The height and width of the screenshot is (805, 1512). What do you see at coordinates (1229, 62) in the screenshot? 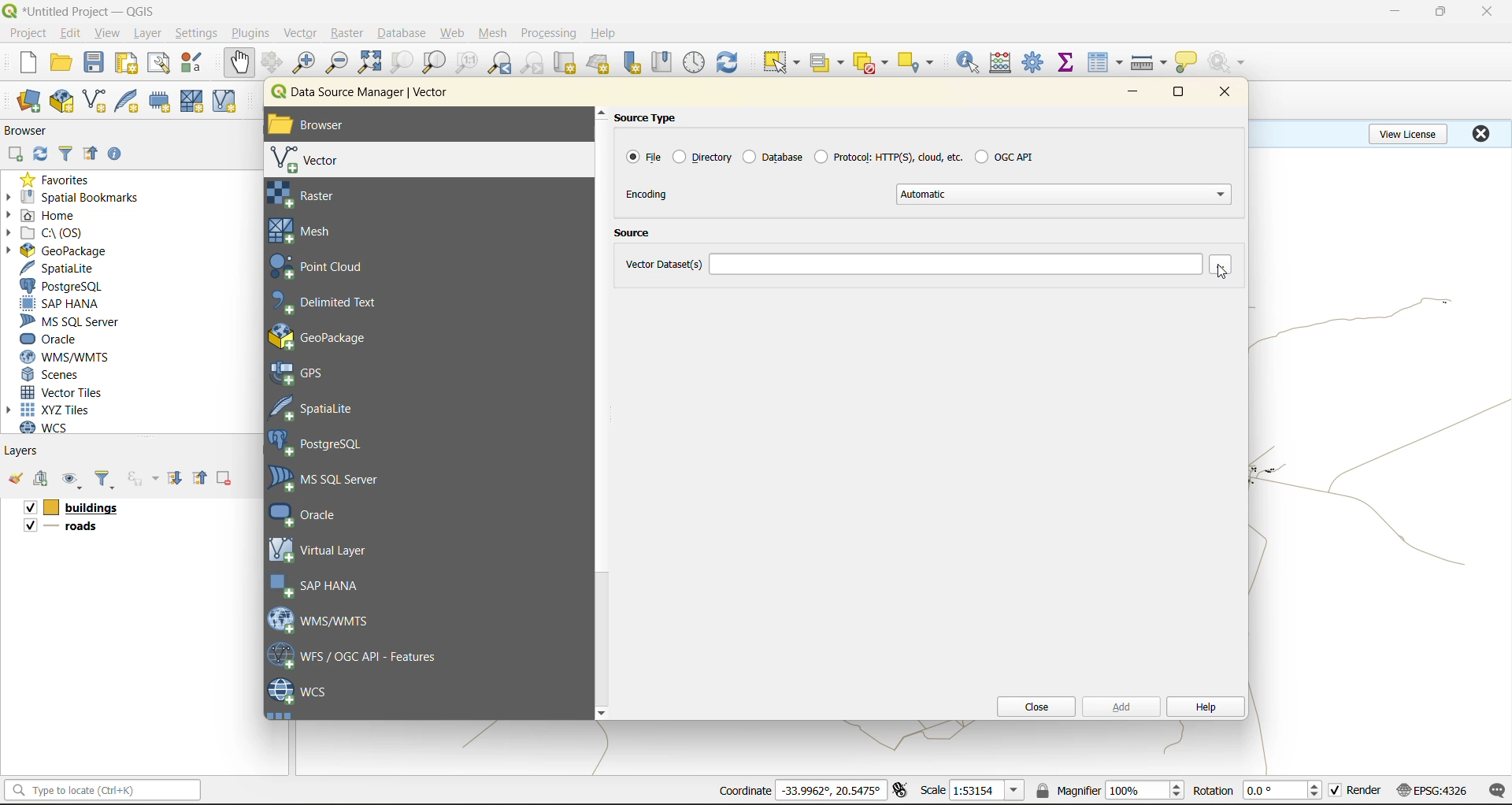
I see `no action` at bounding box center [1229, 62].